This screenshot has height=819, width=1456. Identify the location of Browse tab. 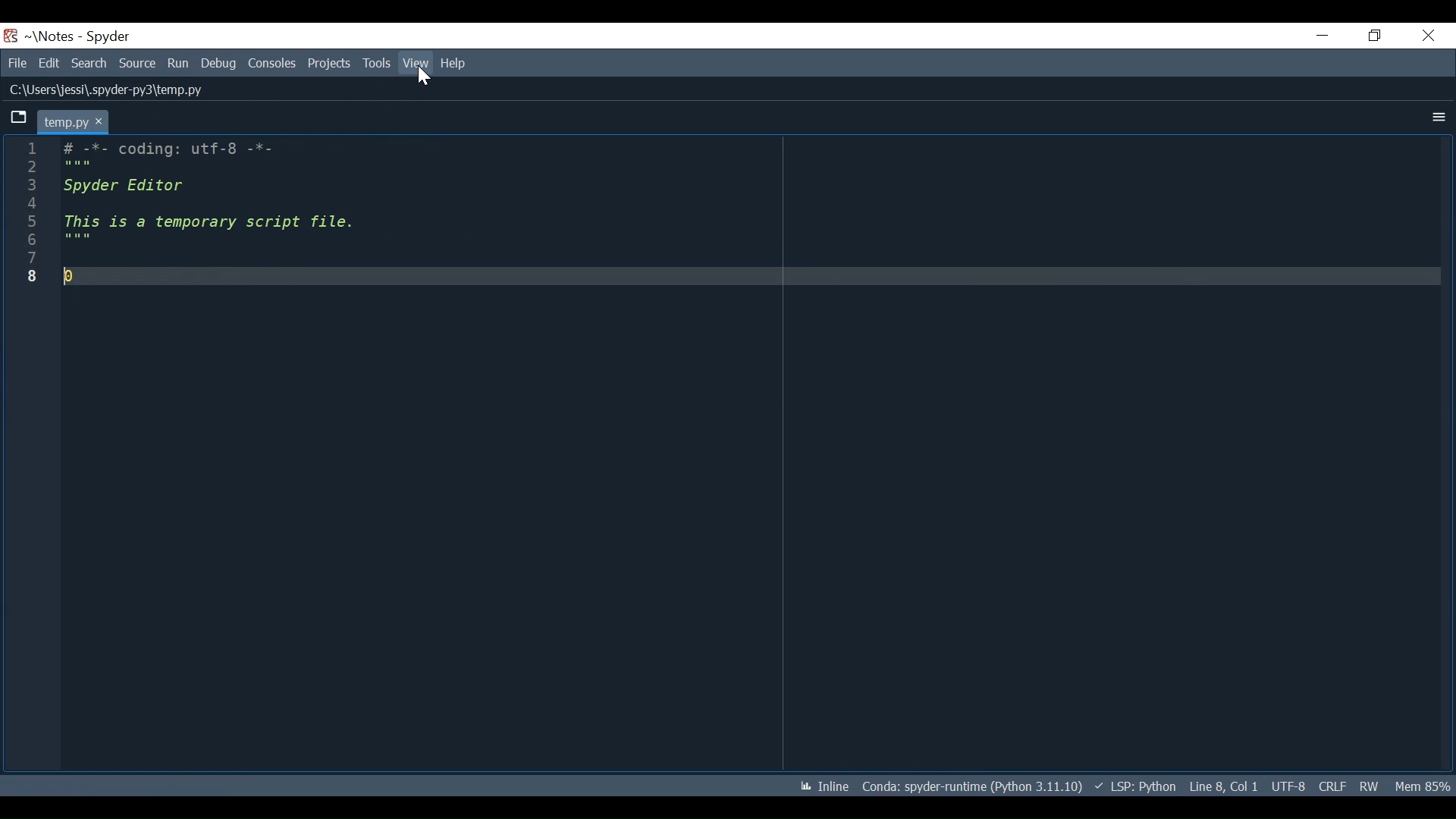
(17, 118).